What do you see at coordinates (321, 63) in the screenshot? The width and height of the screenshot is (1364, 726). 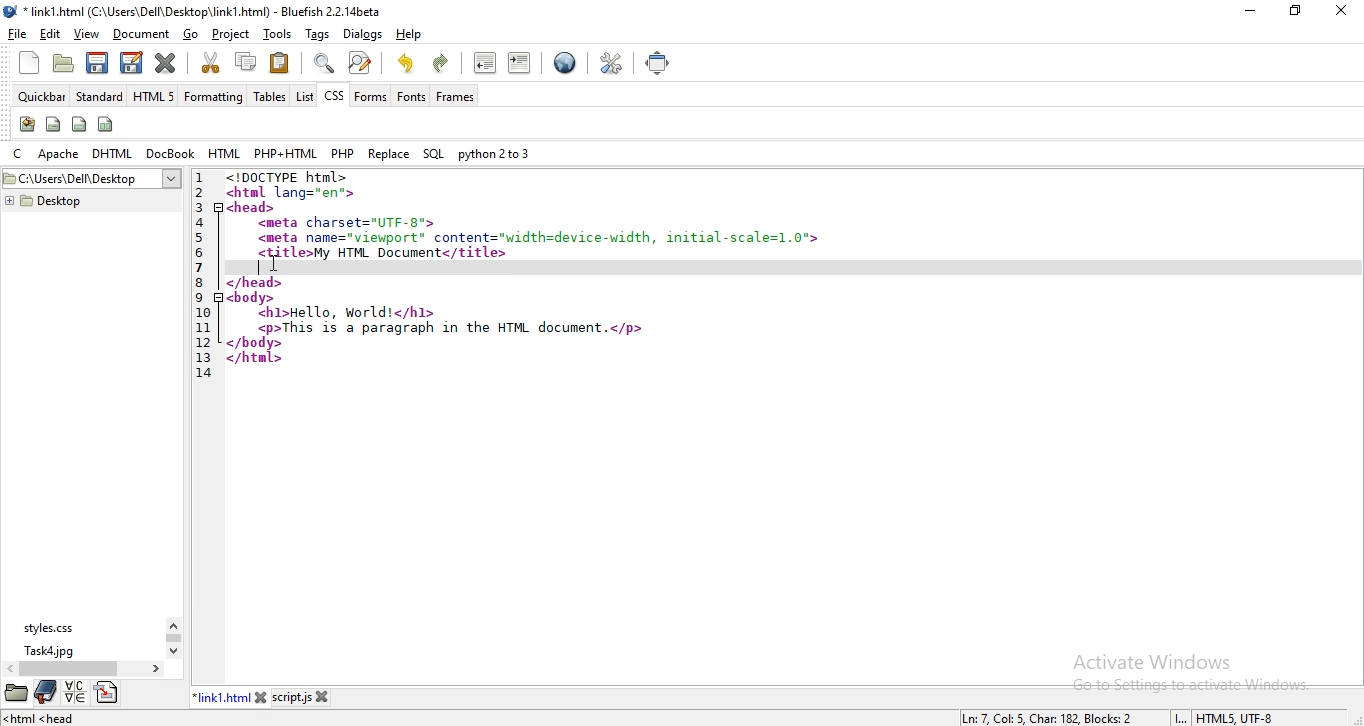 I see `show find bar` at bounding box center [321, 63].